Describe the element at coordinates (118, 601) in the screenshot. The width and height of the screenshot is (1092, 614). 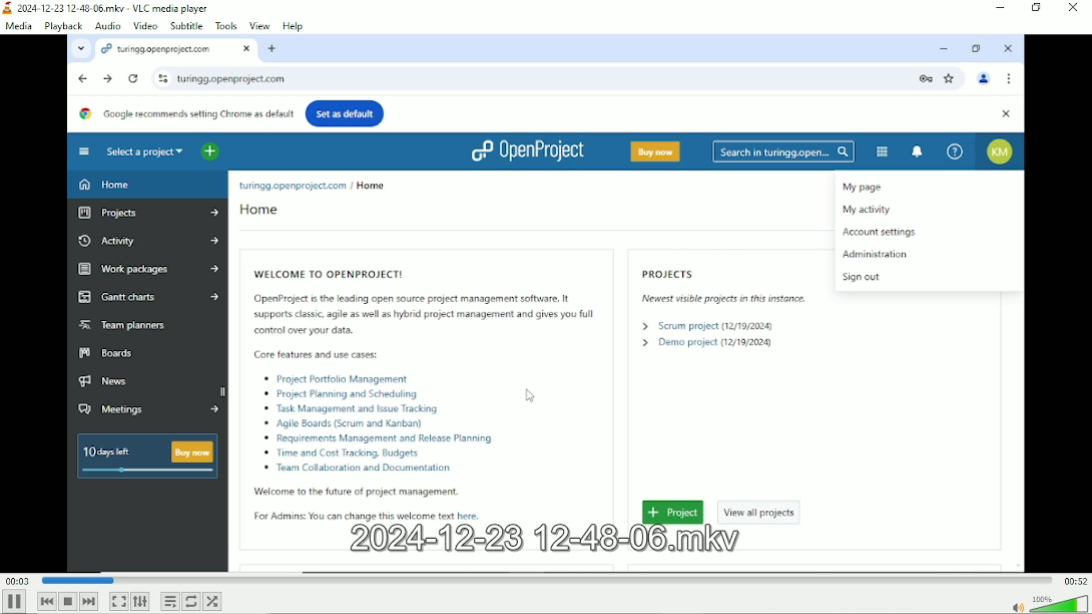
I see `Toggle the video in fullscreen` at that location.